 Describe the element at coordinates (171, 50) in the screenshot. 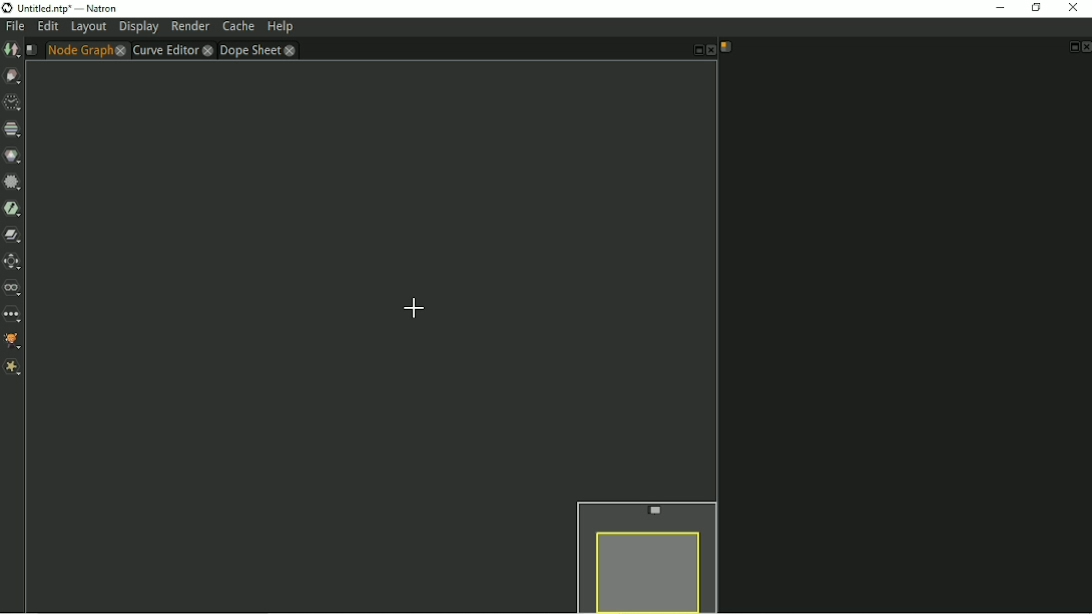

I see `Curve Editor` at that location.